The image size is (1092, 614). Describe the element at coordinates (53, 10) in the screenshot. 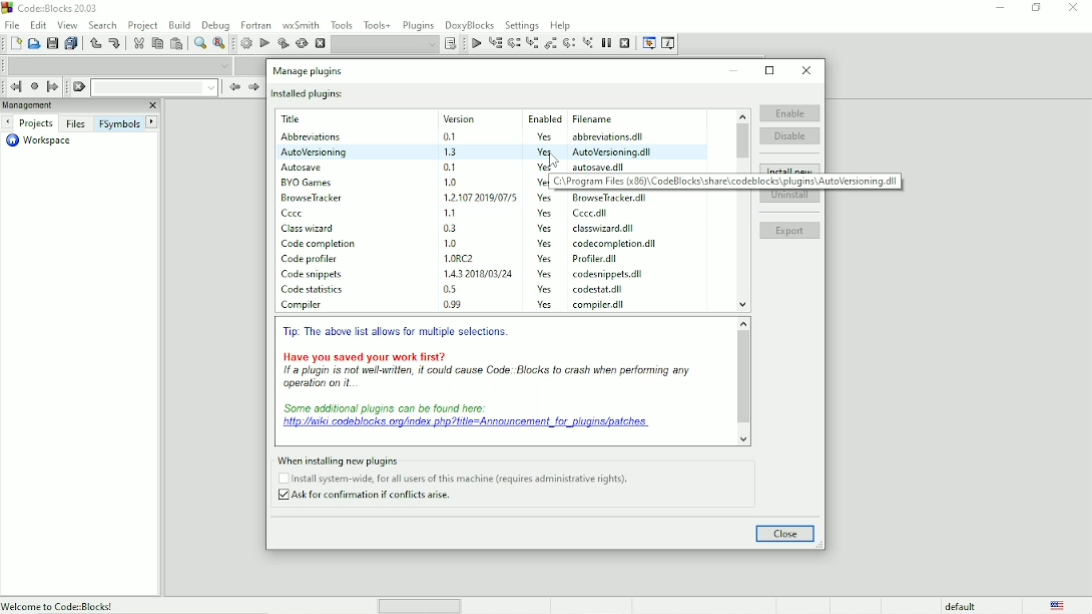

I see `Title` at that location.